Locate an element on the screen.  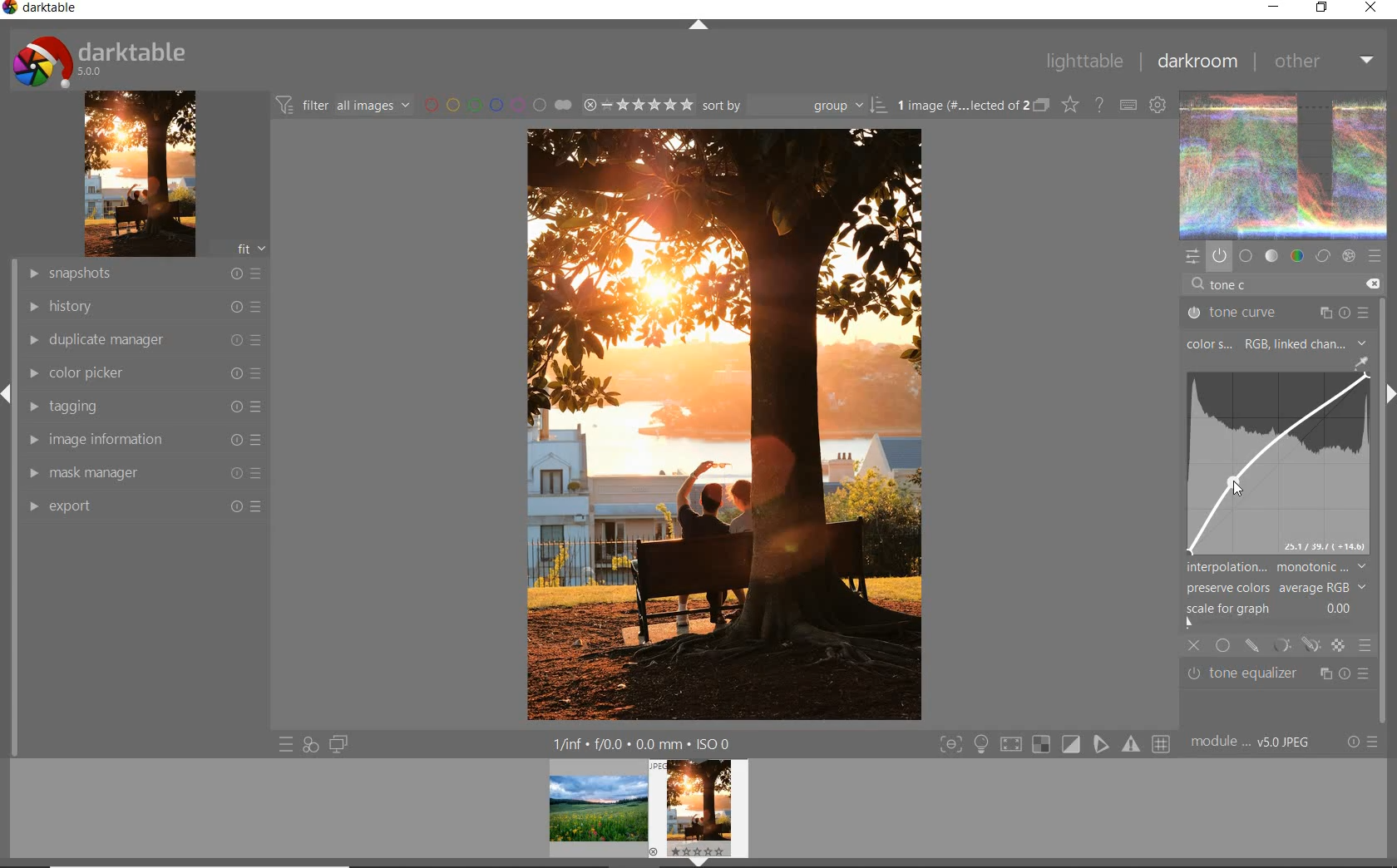
define keyboard shortcuts is located at coordinates (1131, 105).